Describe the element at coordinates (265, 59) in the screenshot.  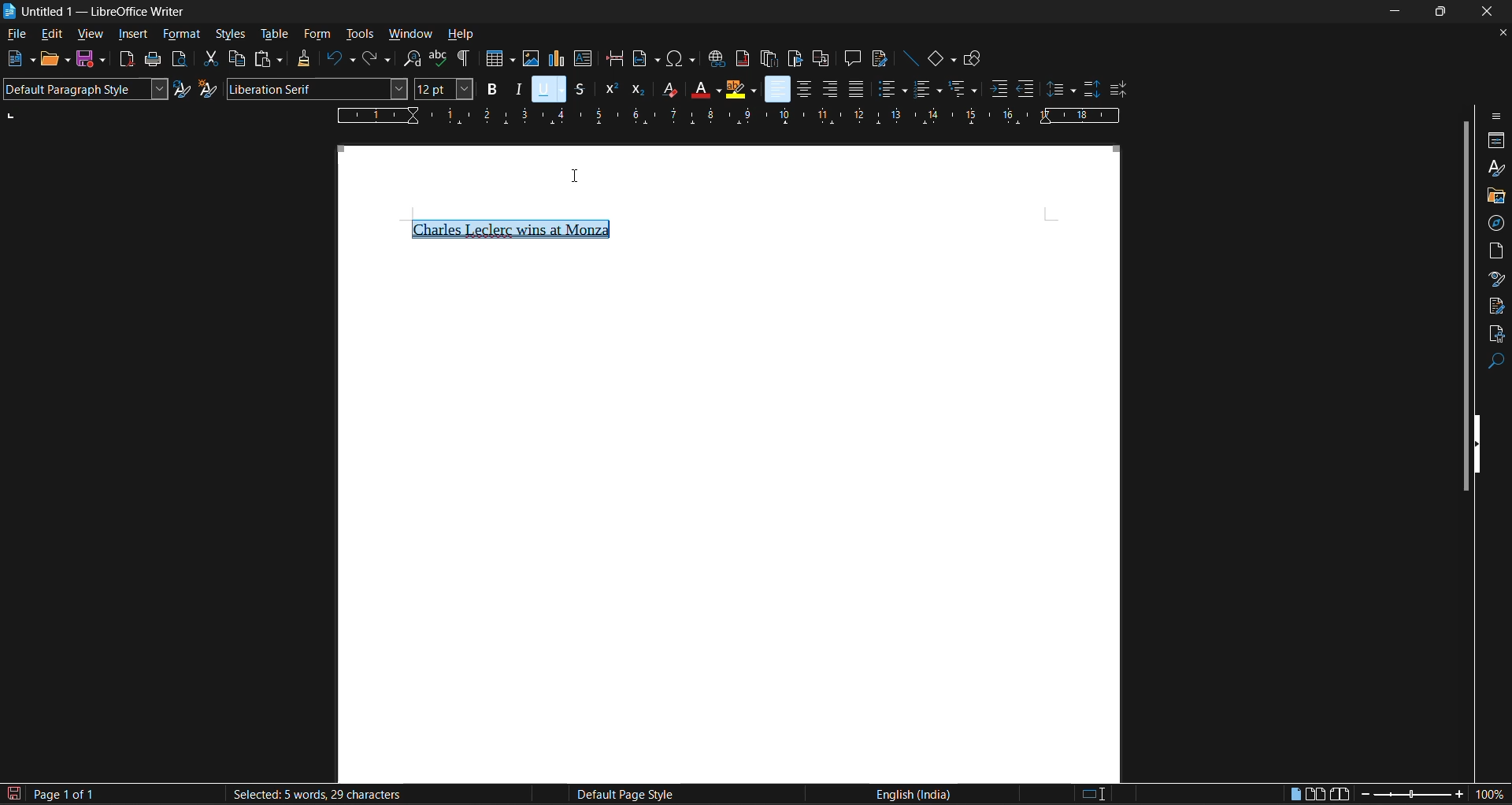
I see `paste` at that location.